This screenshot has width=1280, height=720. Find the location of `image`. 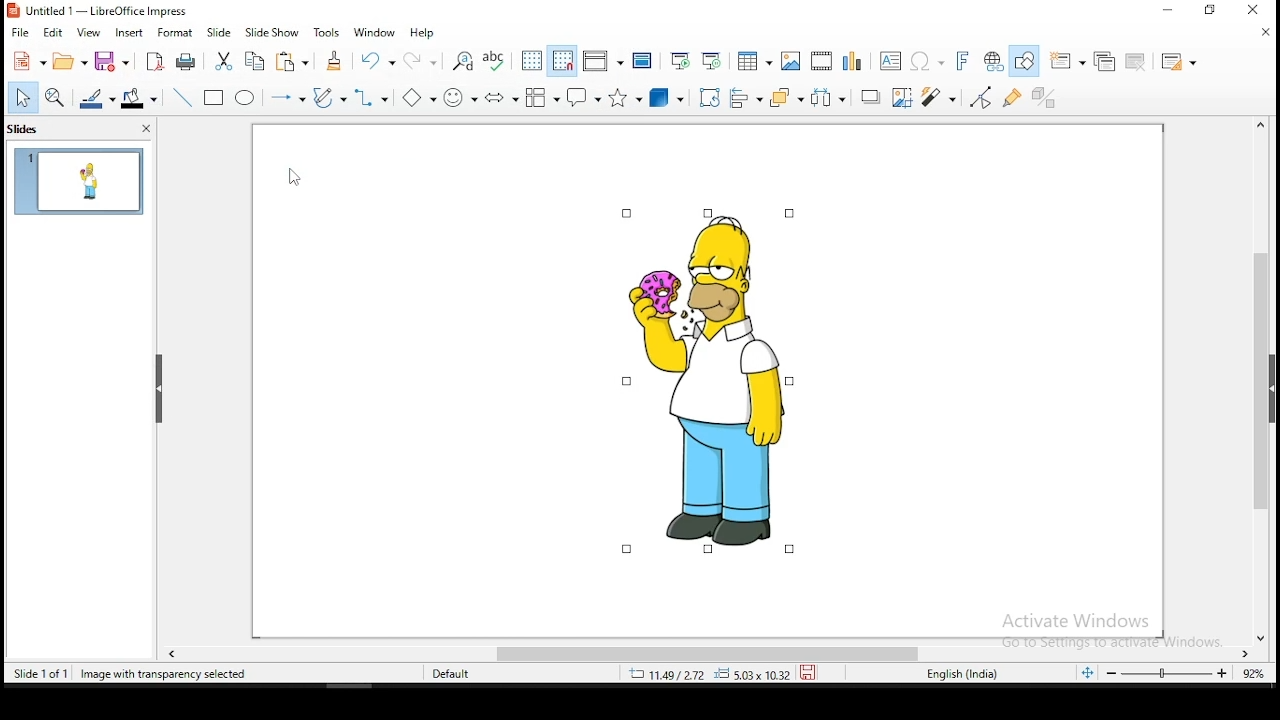

image is located at coordinates (708, 380).